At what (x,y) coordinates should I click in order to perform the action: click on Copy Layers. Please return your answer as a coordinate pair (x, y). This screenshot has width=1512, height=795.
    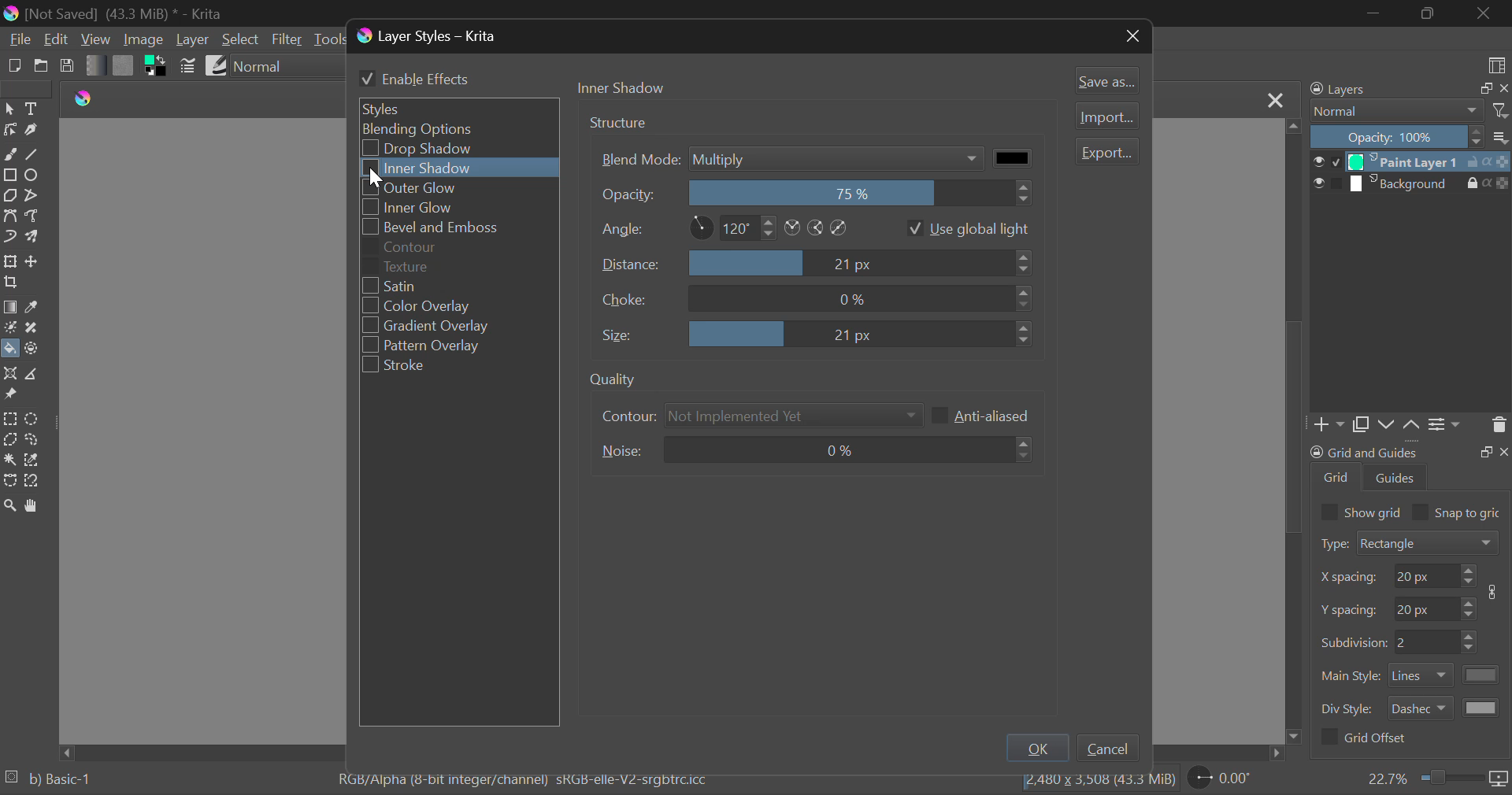
    Looking at the image, I should click on (1362, 425).